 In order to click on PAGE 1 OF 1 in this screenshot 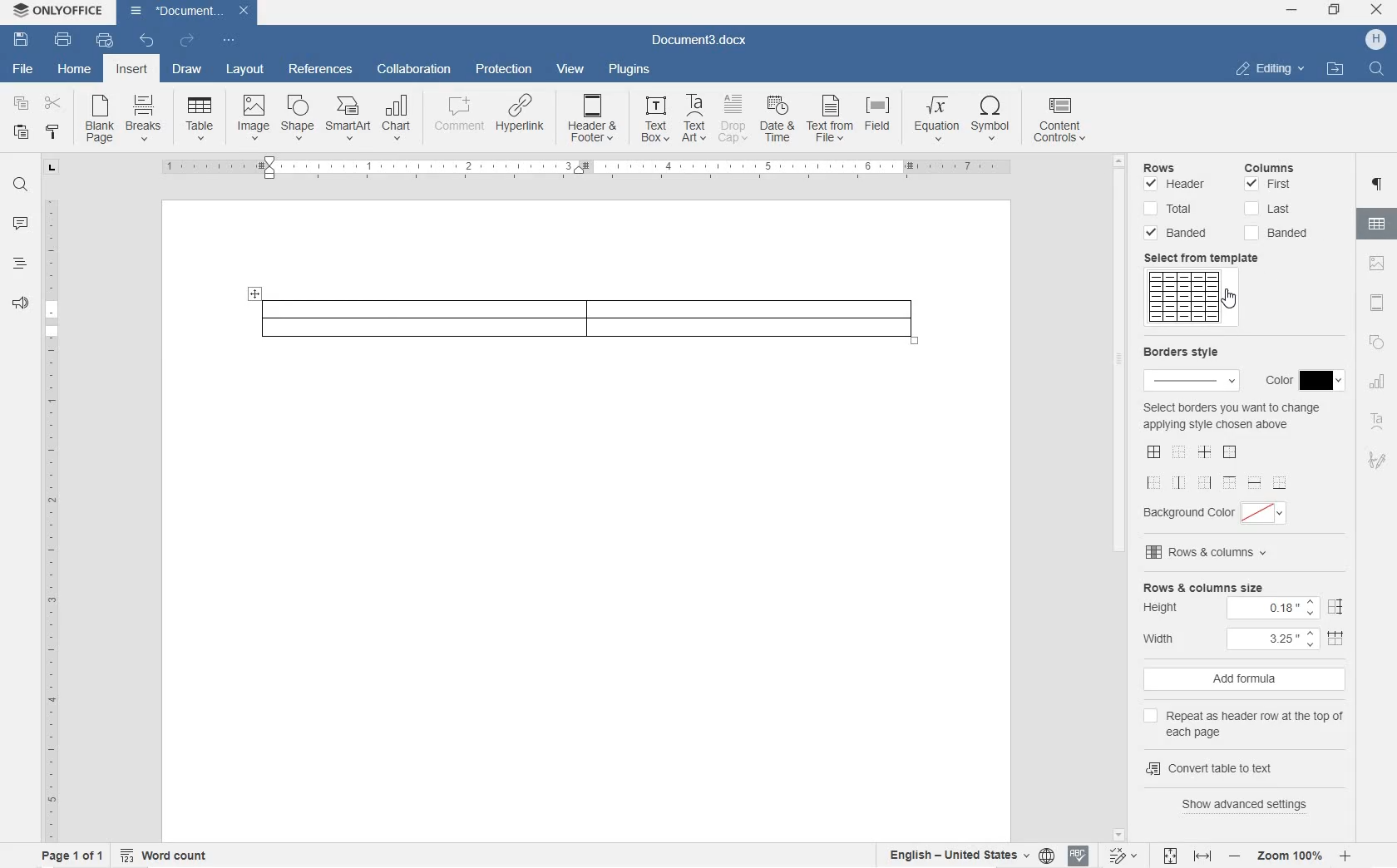, I will do `click(68, 856)`.